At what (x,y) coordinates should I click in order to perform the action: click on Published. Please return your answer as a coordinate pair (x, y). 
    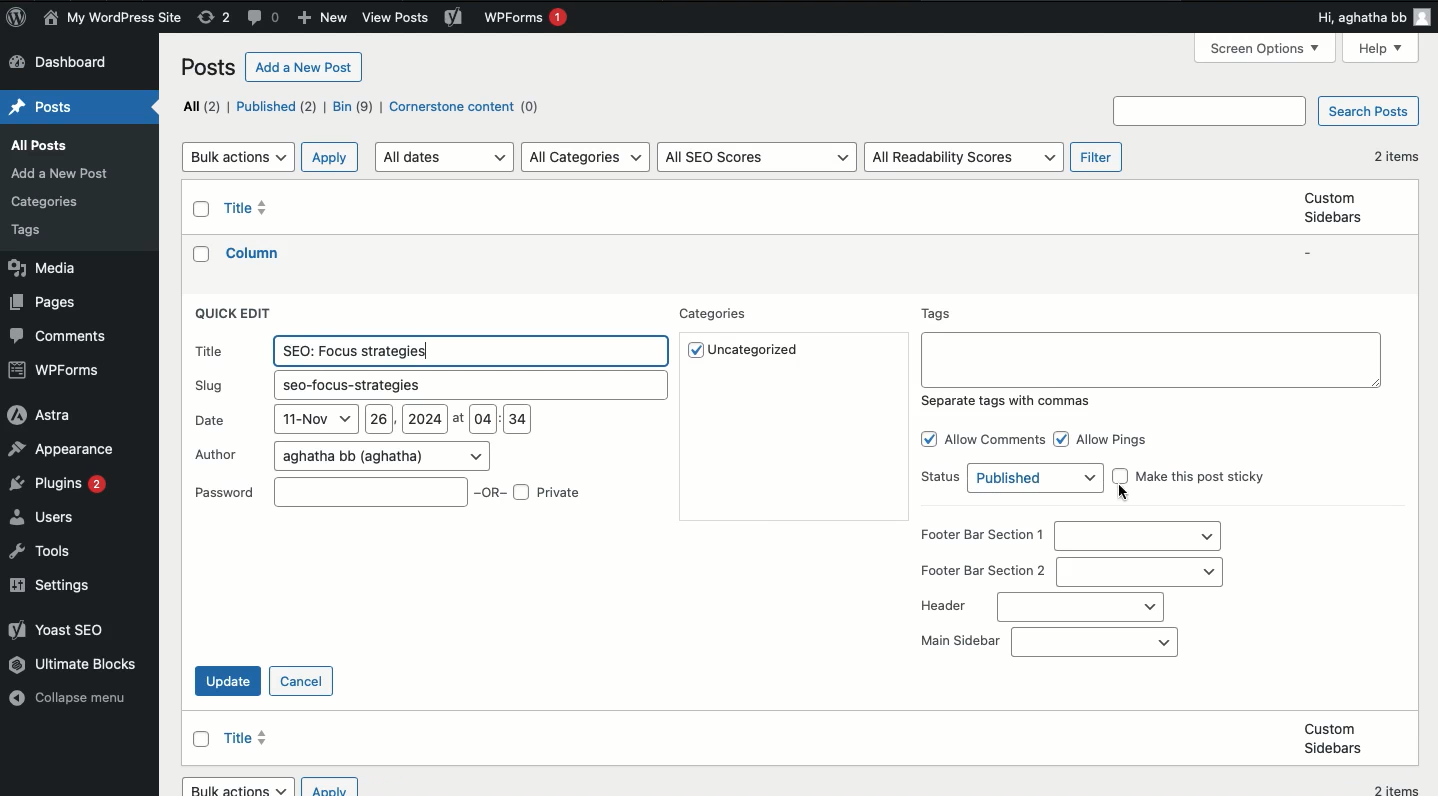
    Looking at the image, I should click on (276, 106).